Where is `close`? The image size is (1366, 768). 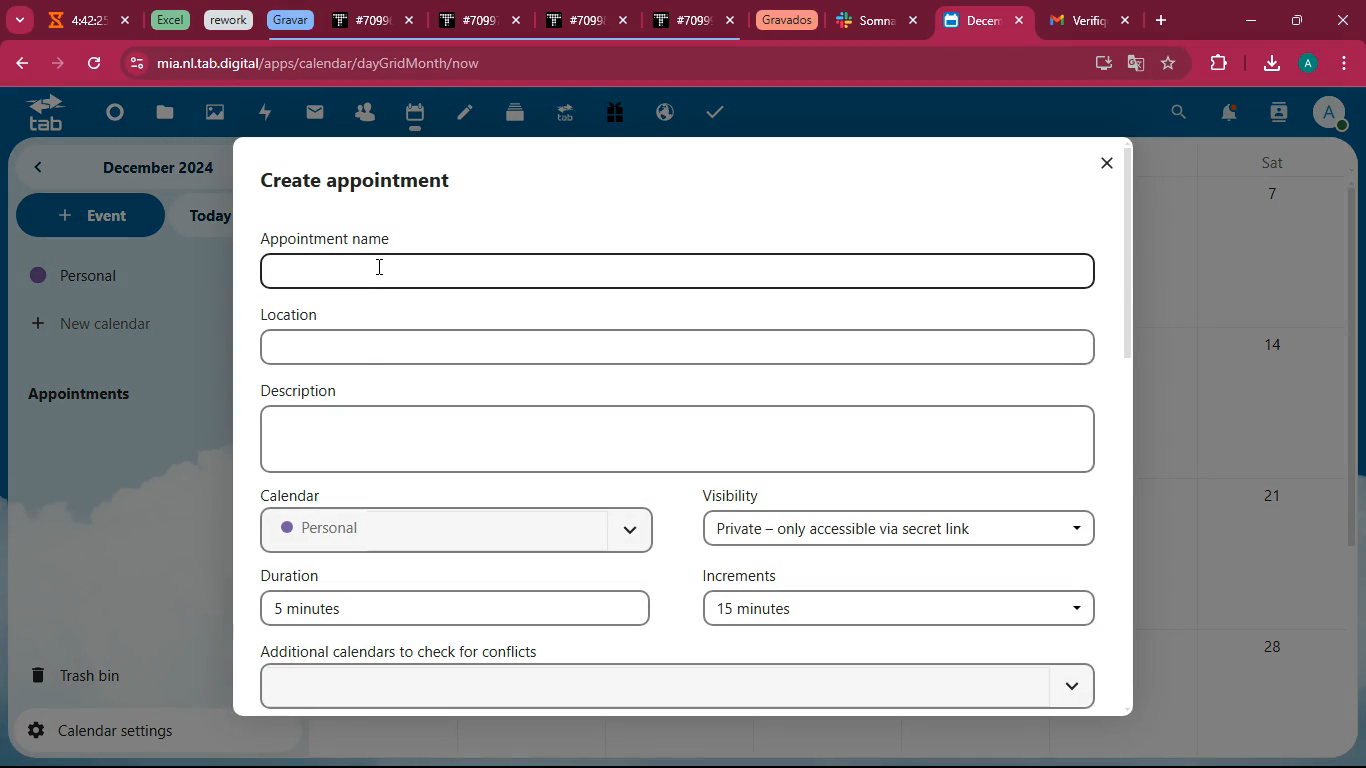 close is located at coordinates (919, 21).